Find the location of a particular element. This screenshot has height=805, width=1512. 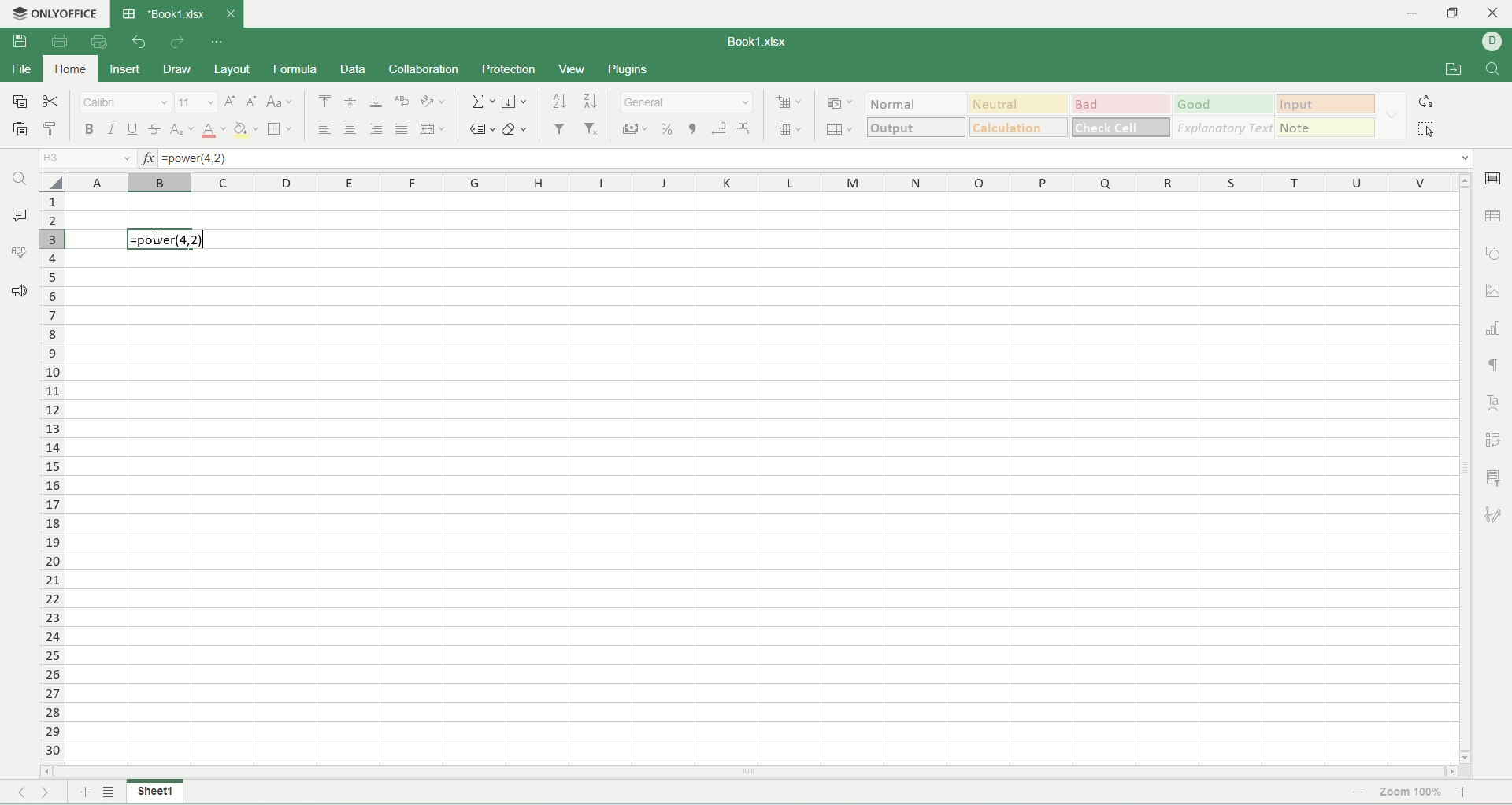

redo is located at coordinates (177, 43).